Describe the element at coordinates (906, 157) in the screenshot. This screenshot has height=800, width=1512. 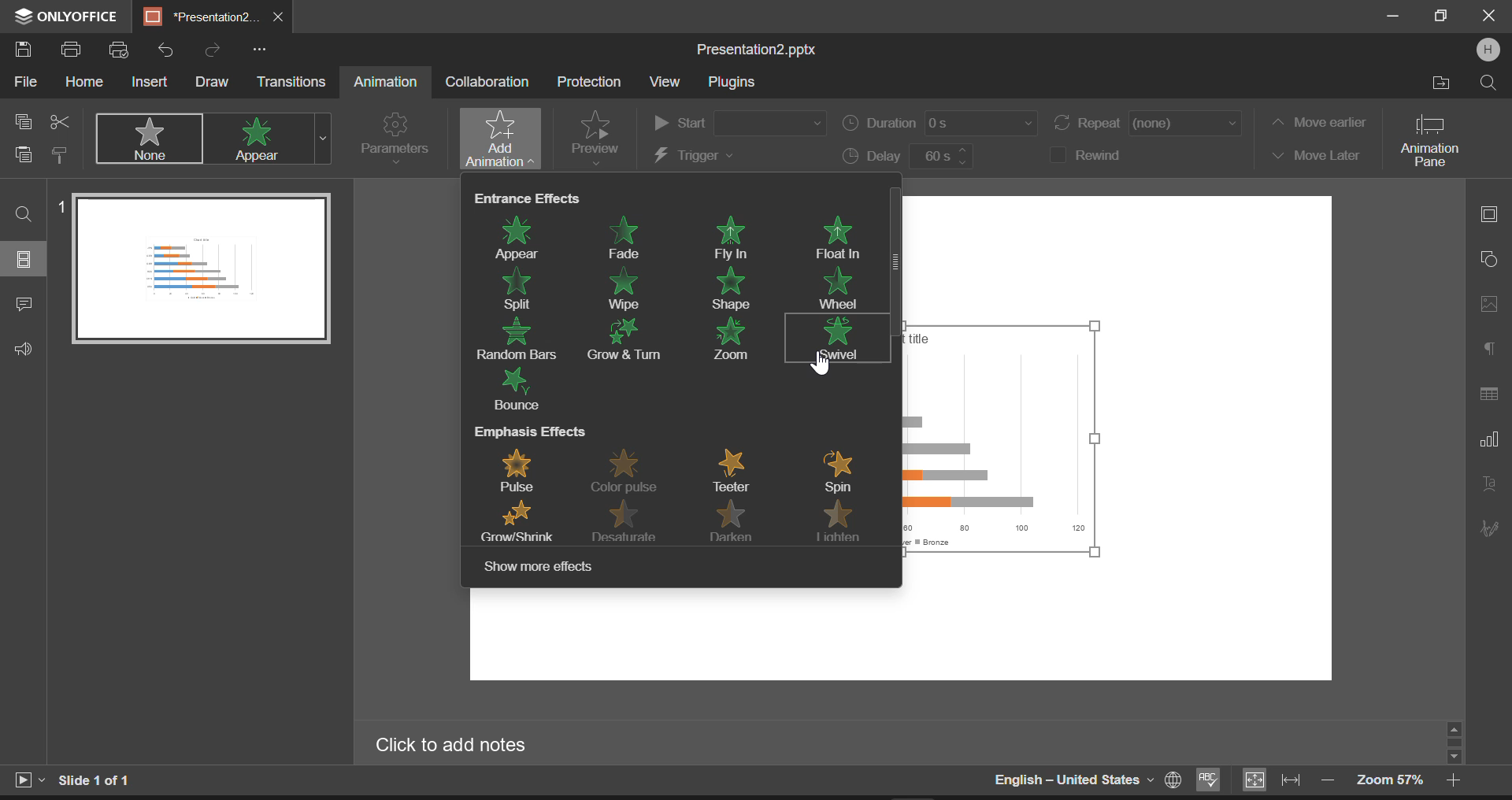
I see `Delay` at that location.